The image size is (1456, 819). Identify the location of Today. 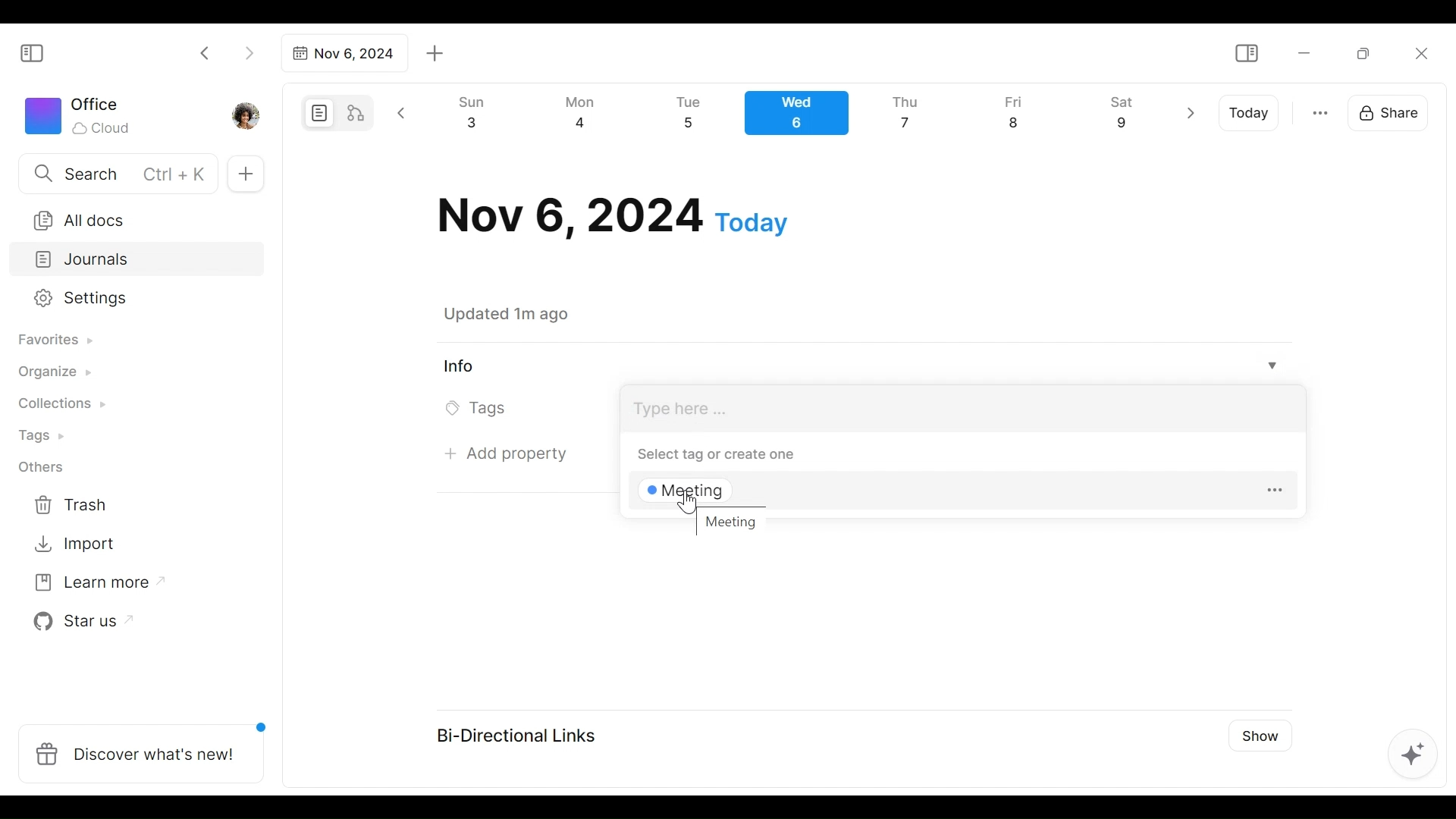
(1250, 113).